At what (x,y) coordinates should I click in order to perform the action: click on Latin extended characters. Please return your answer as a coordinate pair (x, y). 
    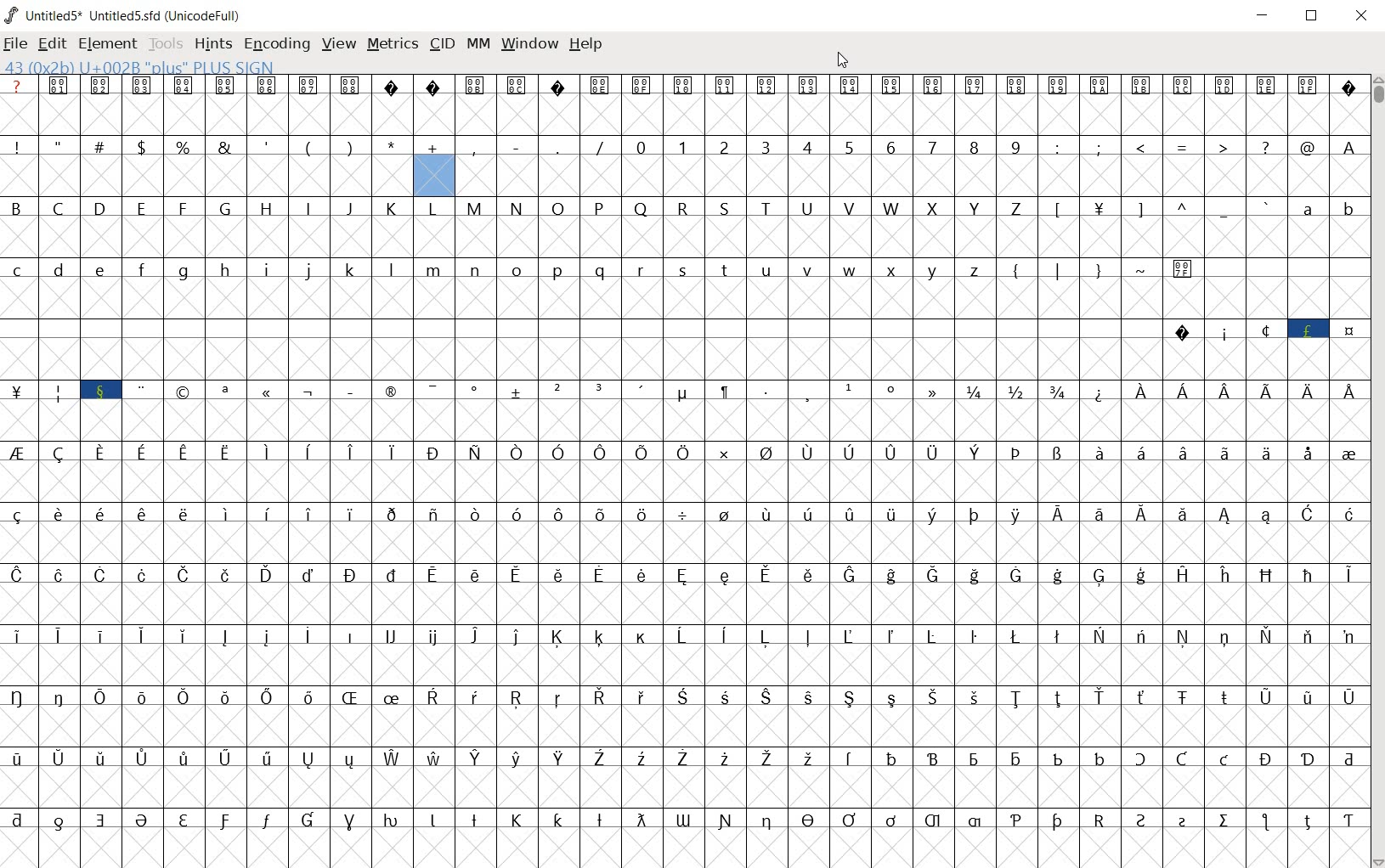
    Looking at the image, I should click on (1245, 412).